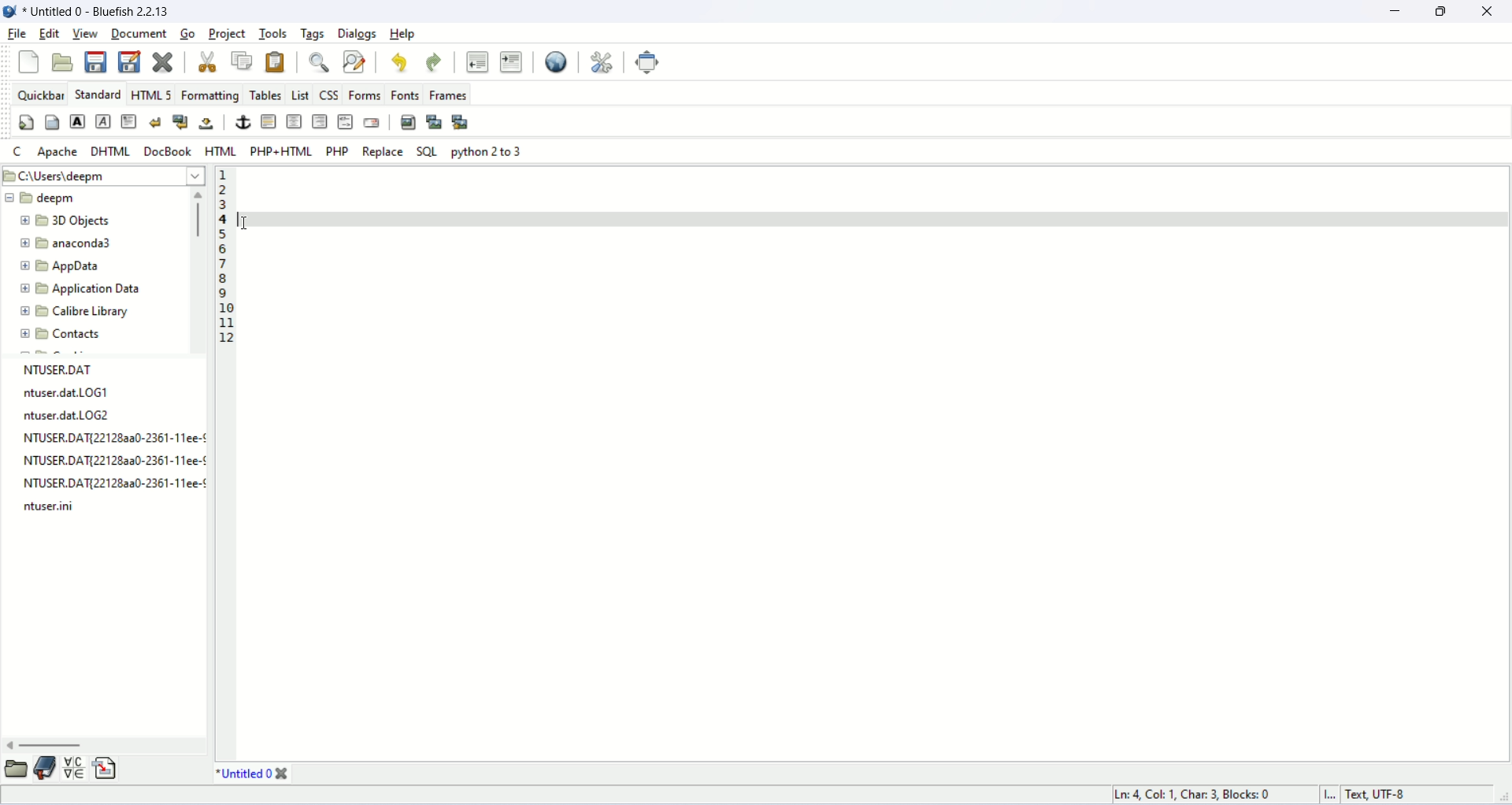 This screenshot has height=805, width=1512. What do you see at coordinates (447, 95) in the screenshot?
I see `frames` at bounding box center [447, 95].